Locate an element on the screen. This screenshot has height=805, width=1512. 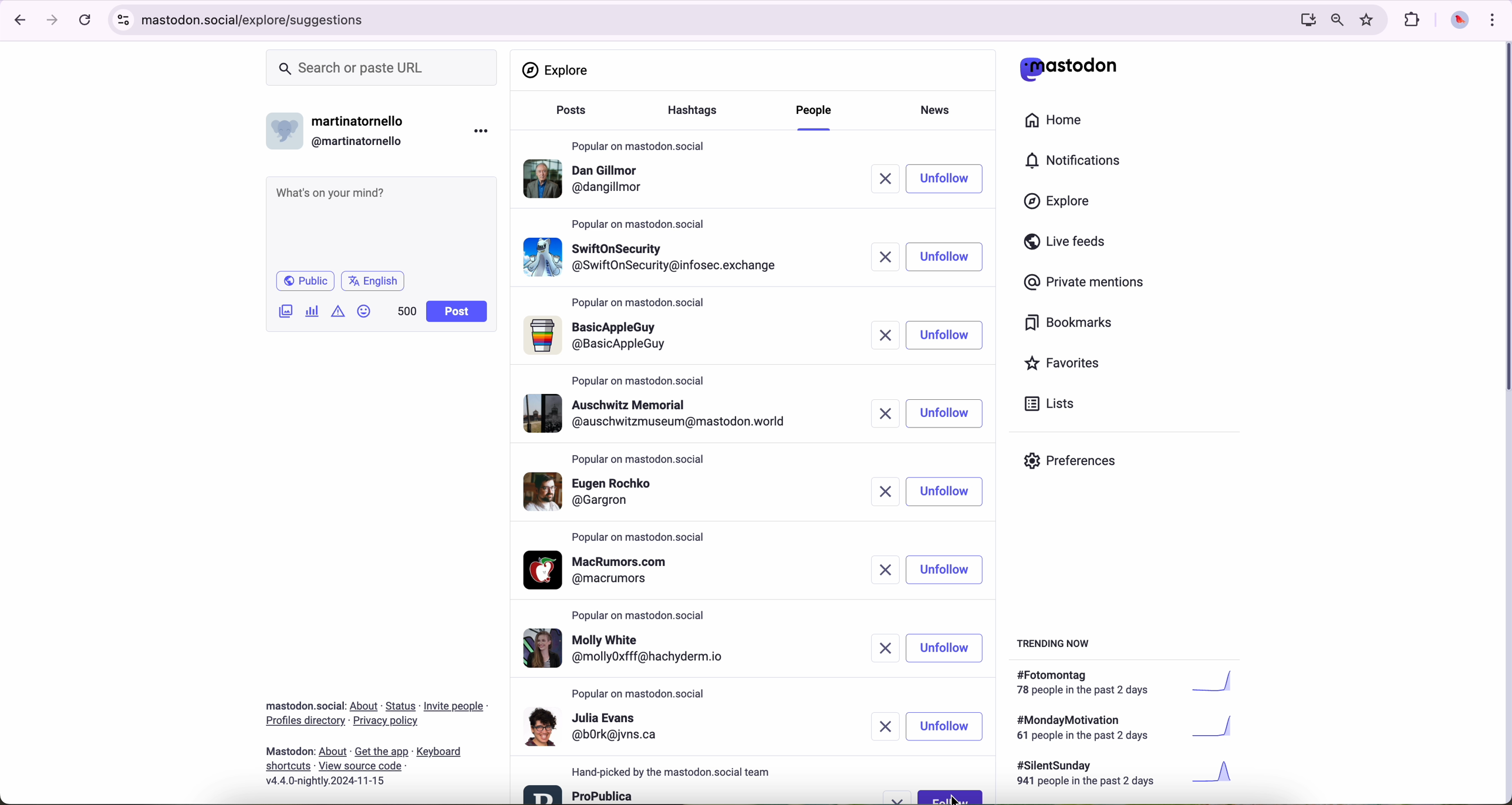
more options is located at coordinates (484, 130).